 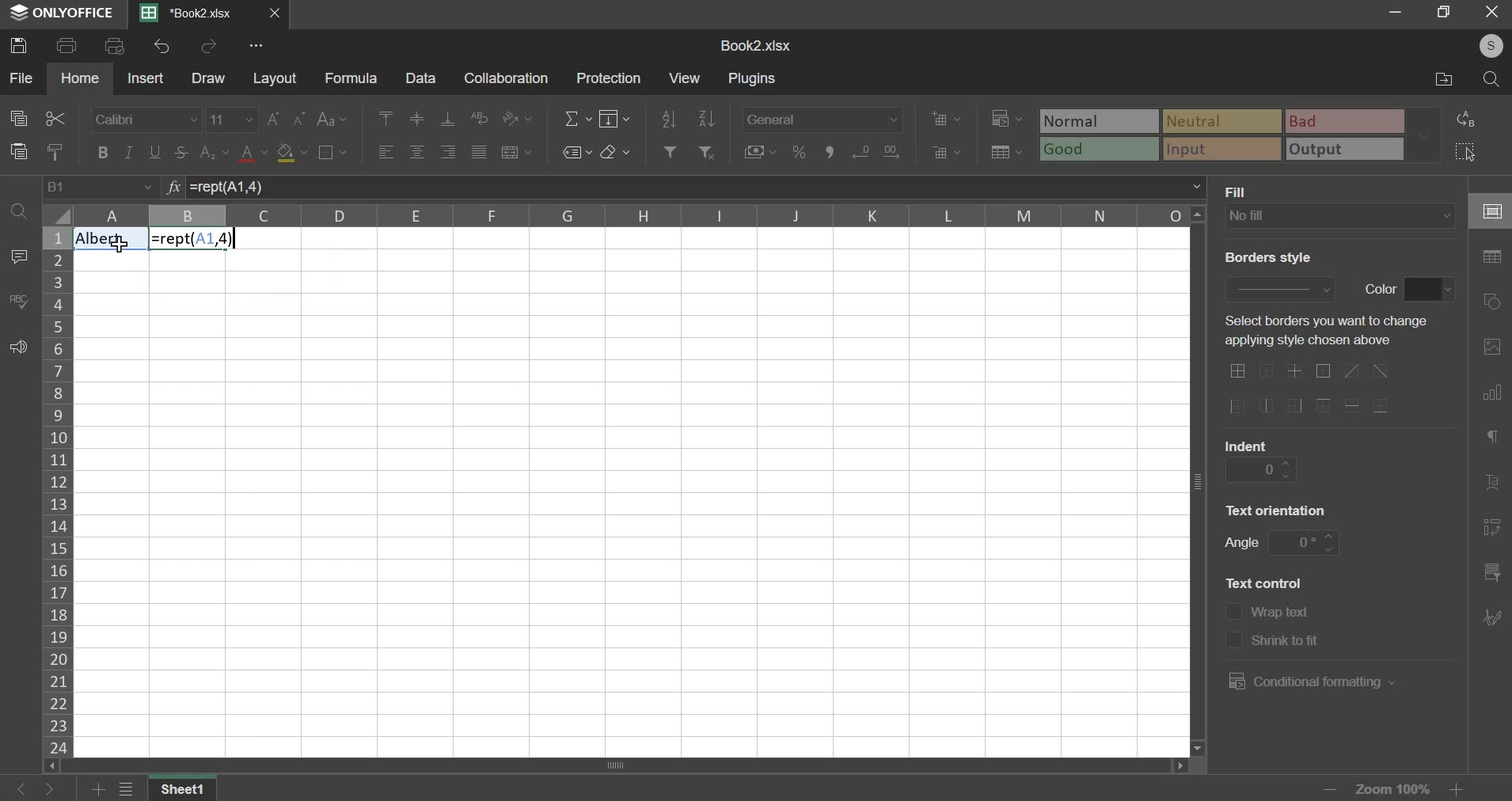 I want to click on columns, so click(x=630, y=215).